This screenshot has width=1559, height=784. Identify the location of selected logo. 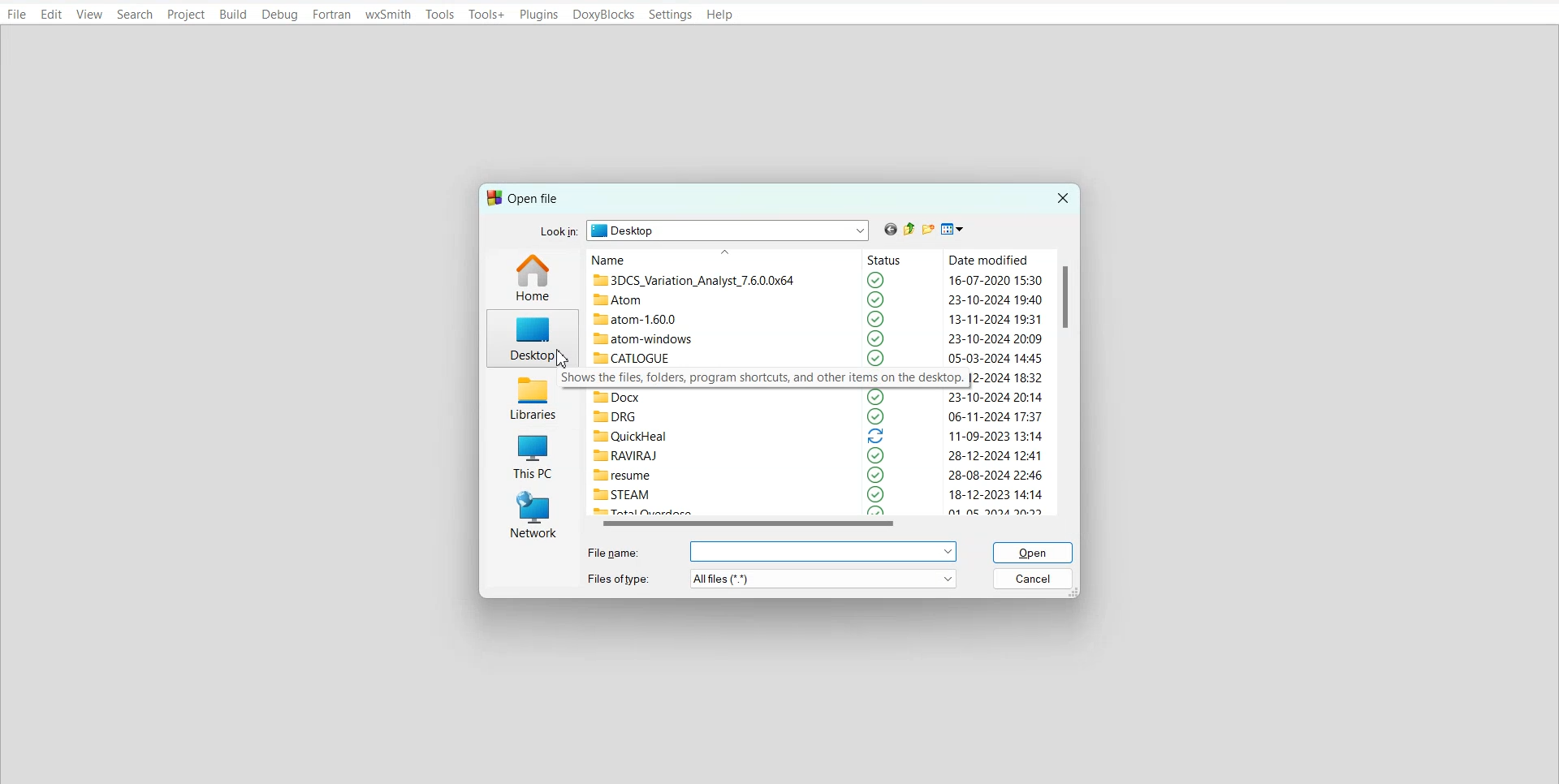
(876, 398).